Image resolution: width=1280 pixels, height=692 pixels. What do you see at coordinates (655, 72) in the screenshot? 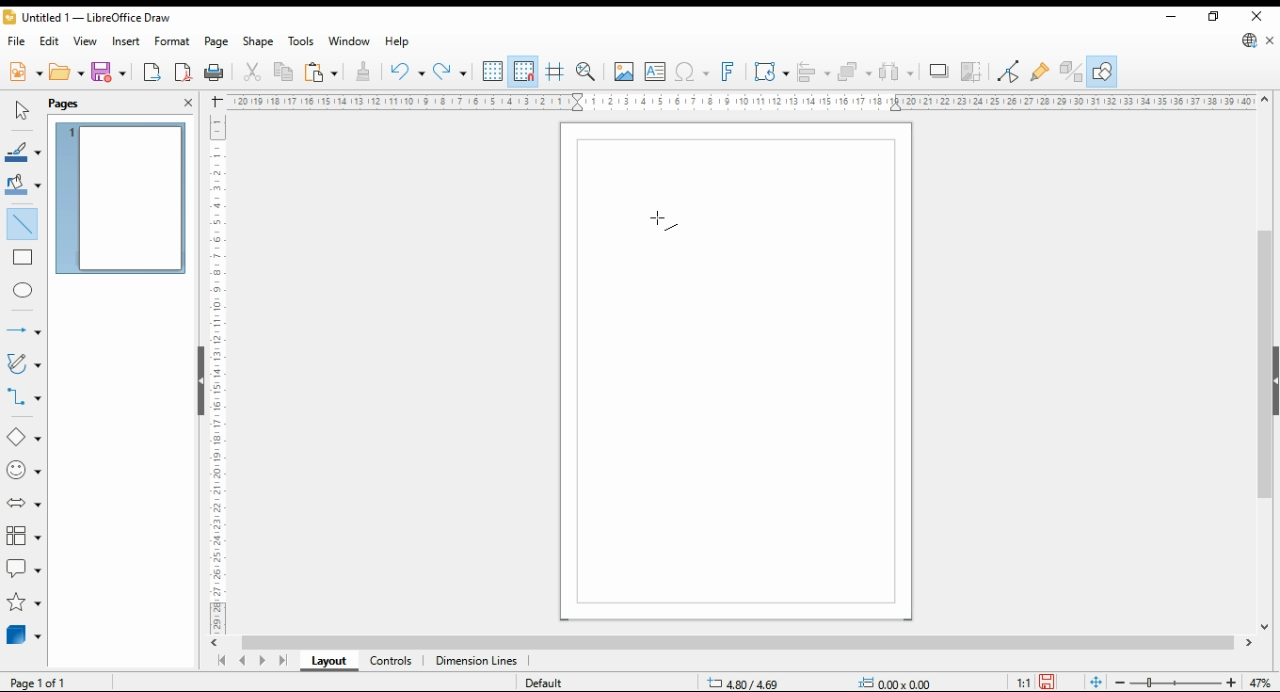
I see `insert text box` at bounding box center [655, 72].